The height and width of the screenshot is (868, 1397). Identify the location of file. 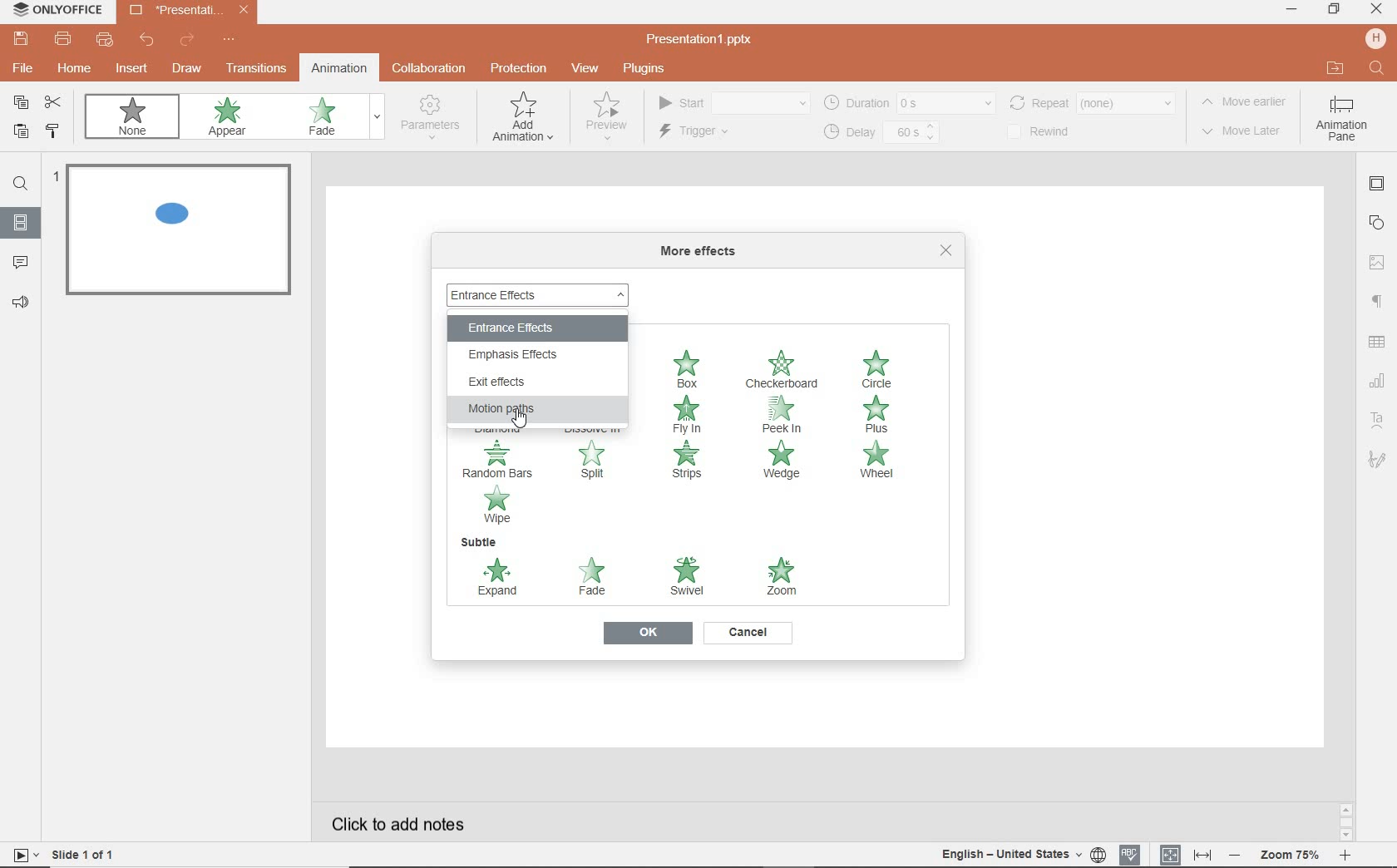
(21, 71).